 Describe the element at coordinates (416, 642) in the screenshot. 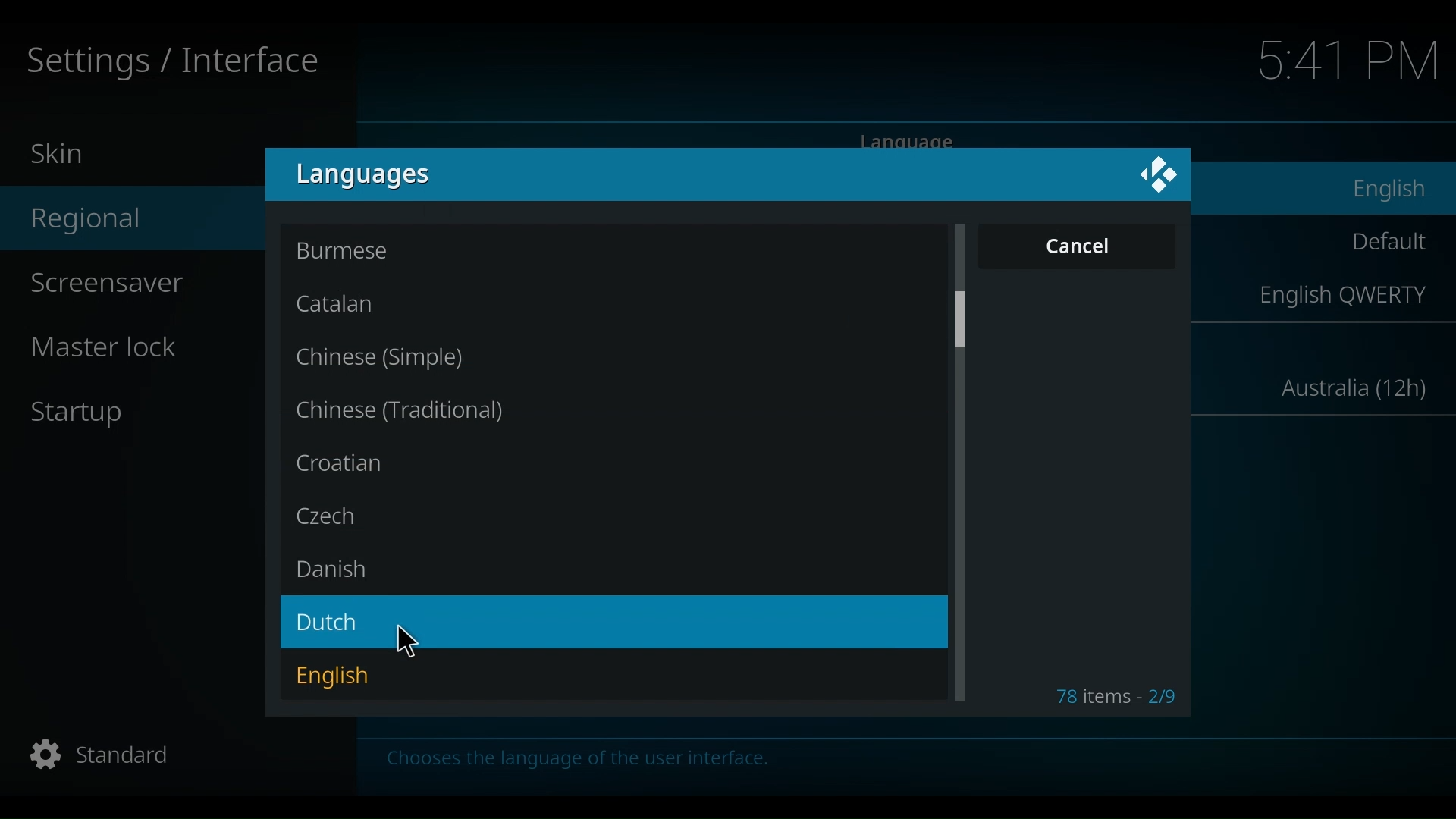

I see `Cursor` at that location.